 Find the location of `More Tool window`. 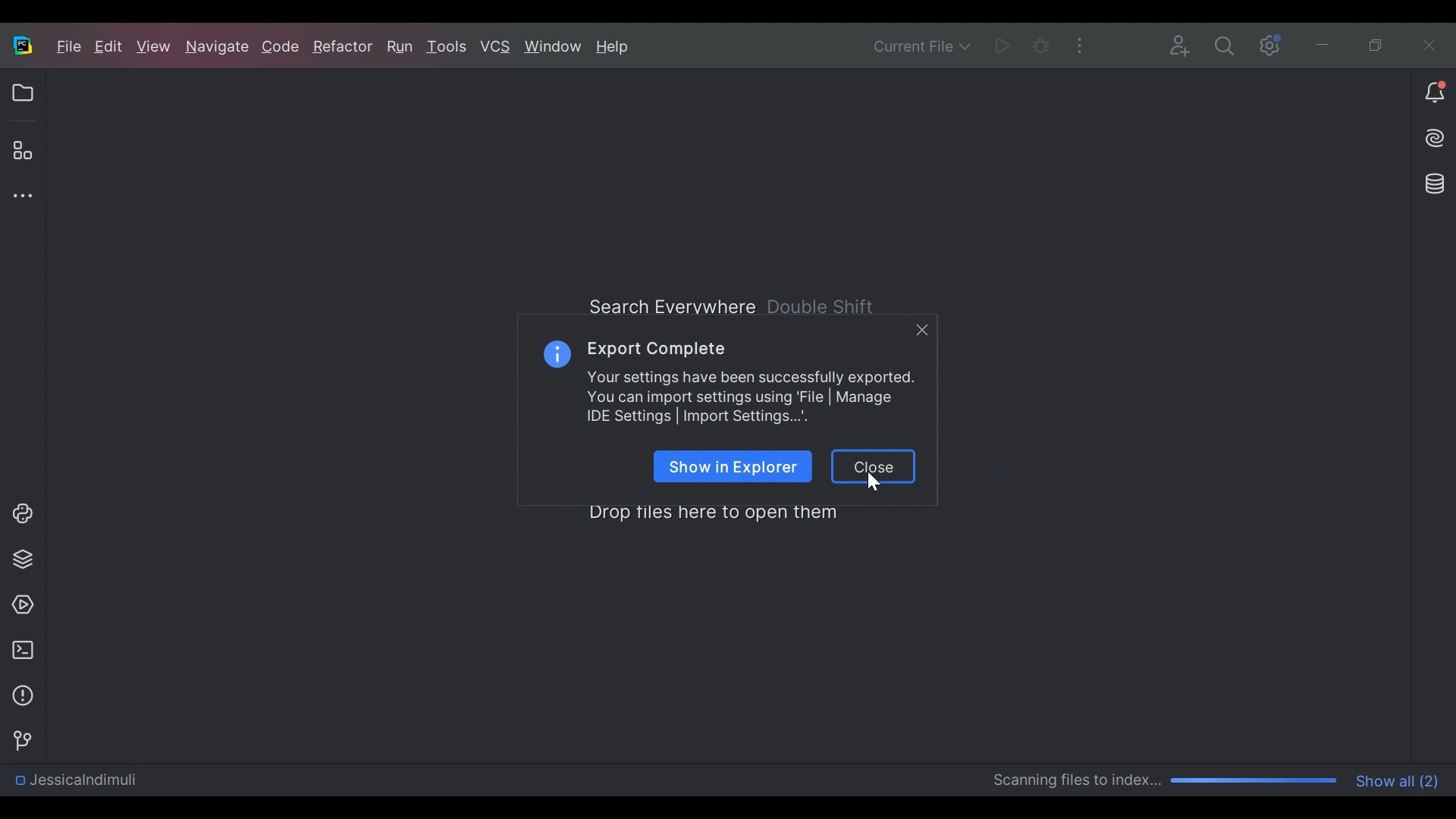

More Tool window is located at coordinates (19, 196).